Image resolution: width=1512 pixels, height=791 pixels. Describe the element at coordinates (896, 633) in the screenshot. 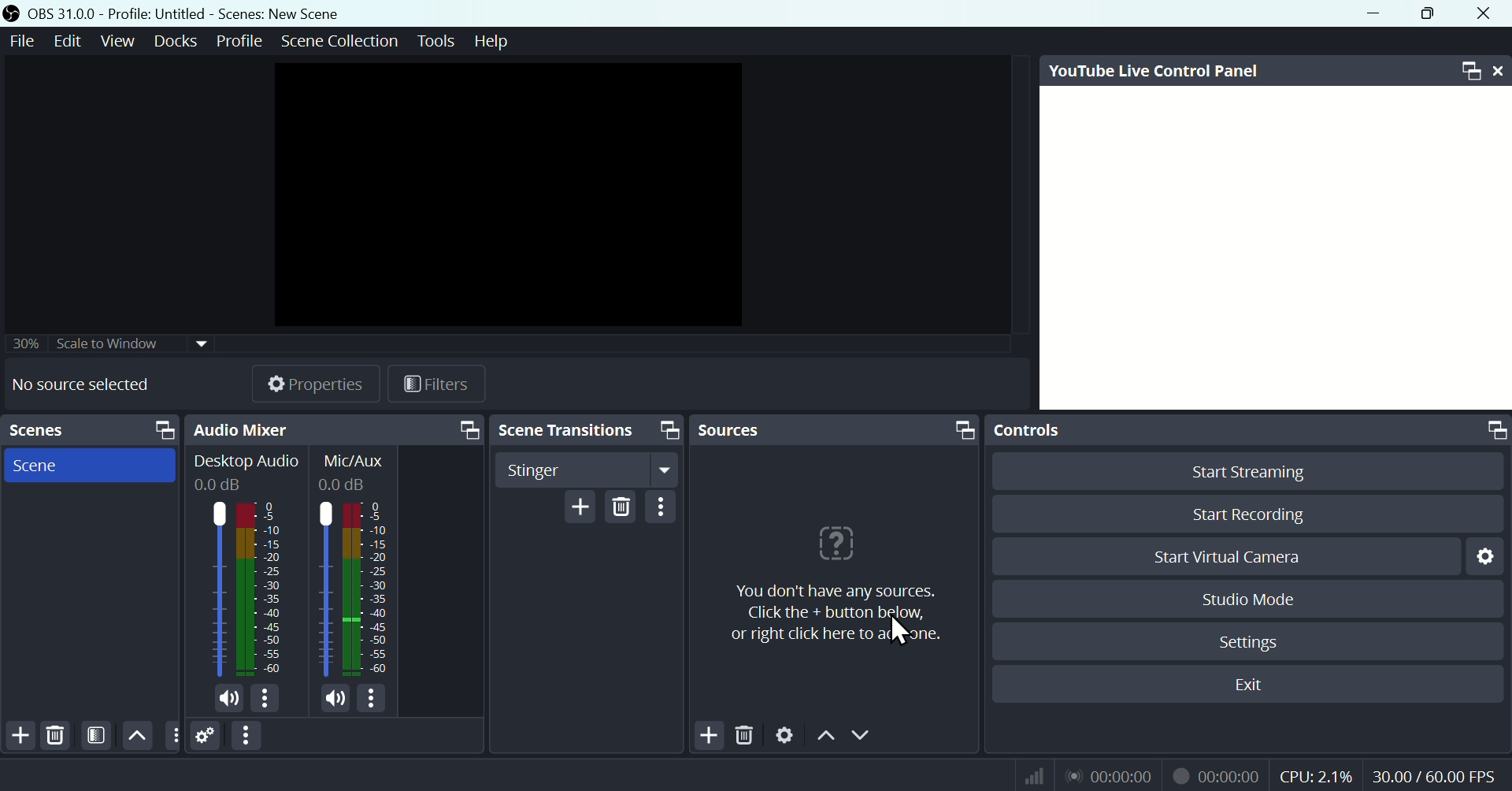

I see `cursor` at that location.